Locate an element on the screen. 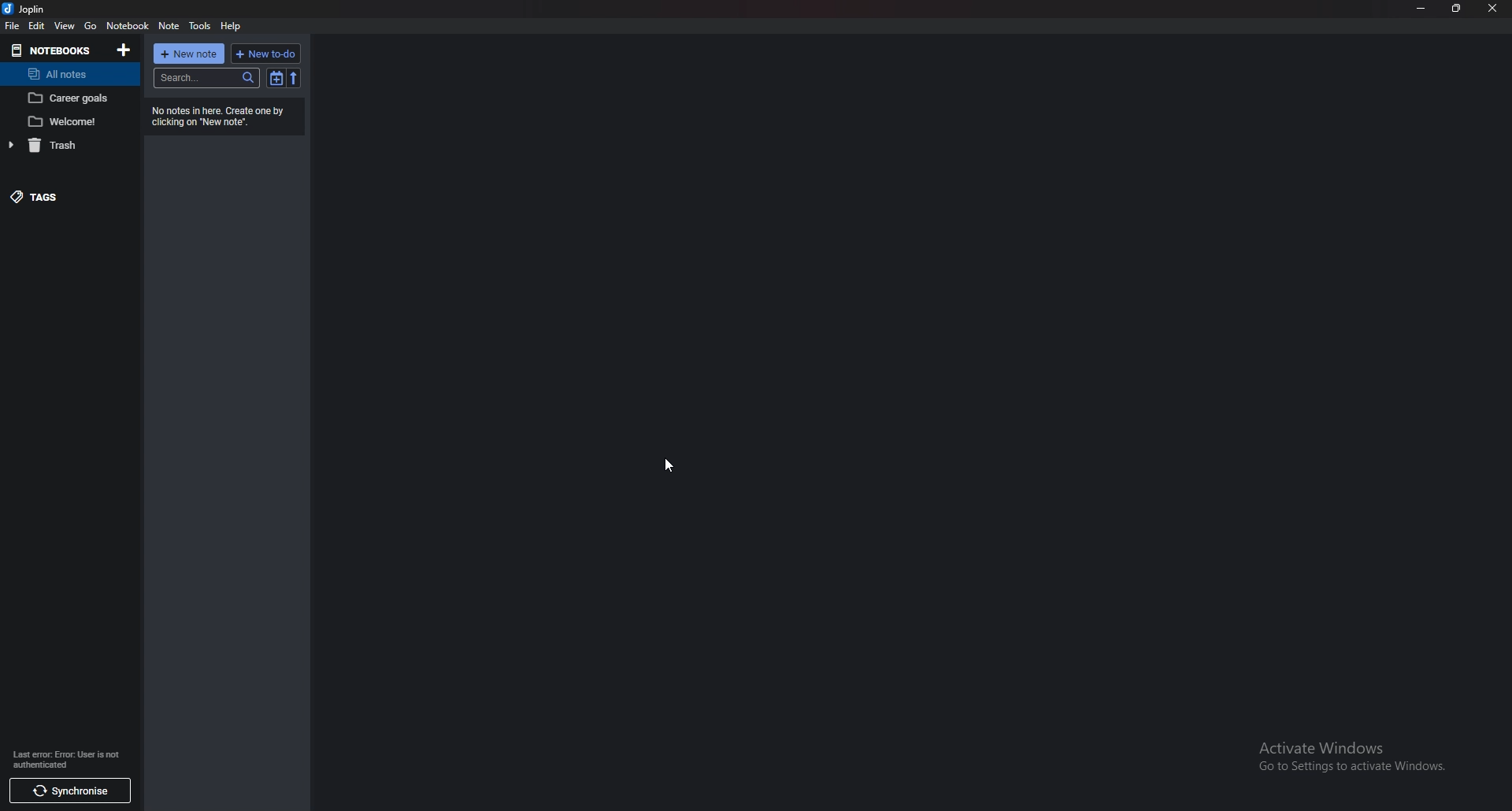  edit is located at coordinates (37, 26).